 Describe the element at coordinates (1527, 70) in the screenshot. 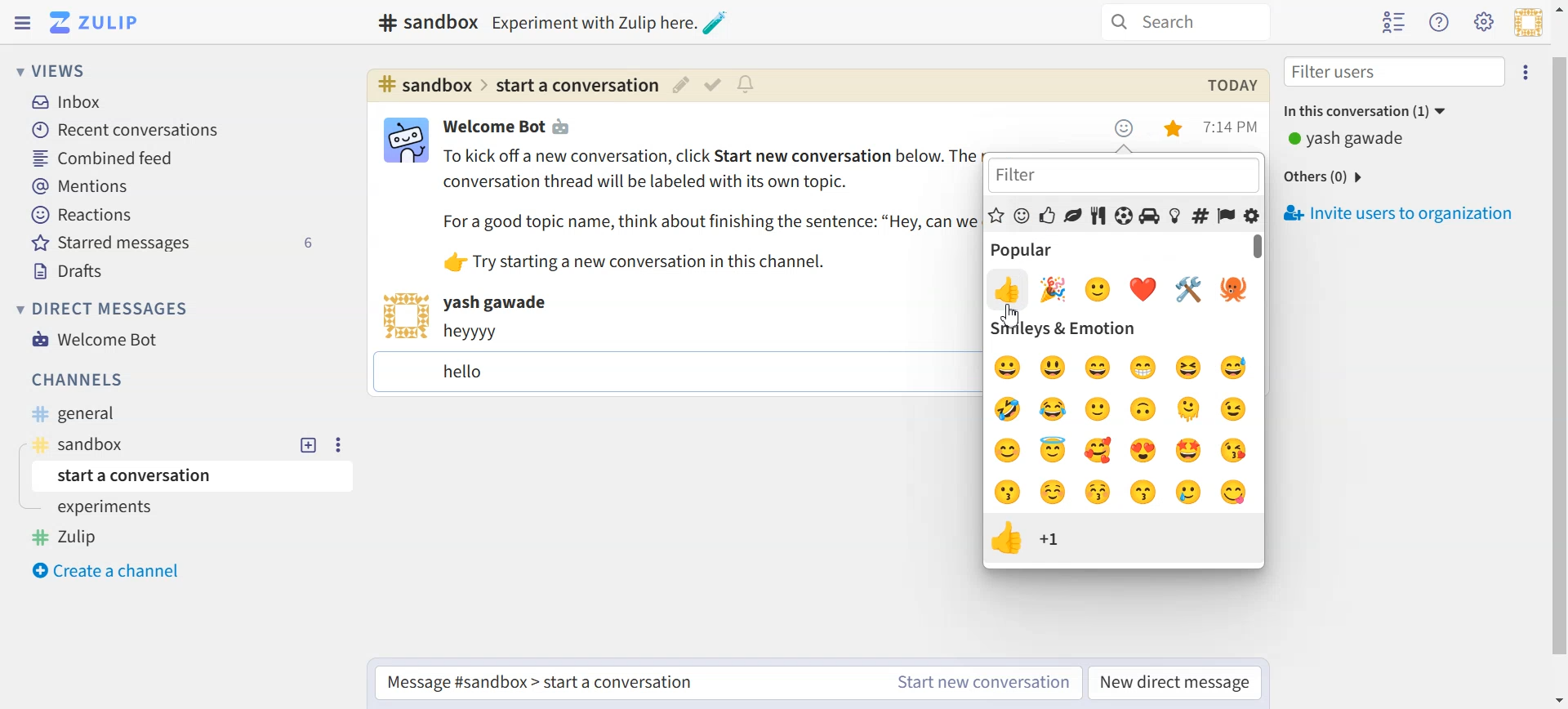

I see `Settings` at that location.